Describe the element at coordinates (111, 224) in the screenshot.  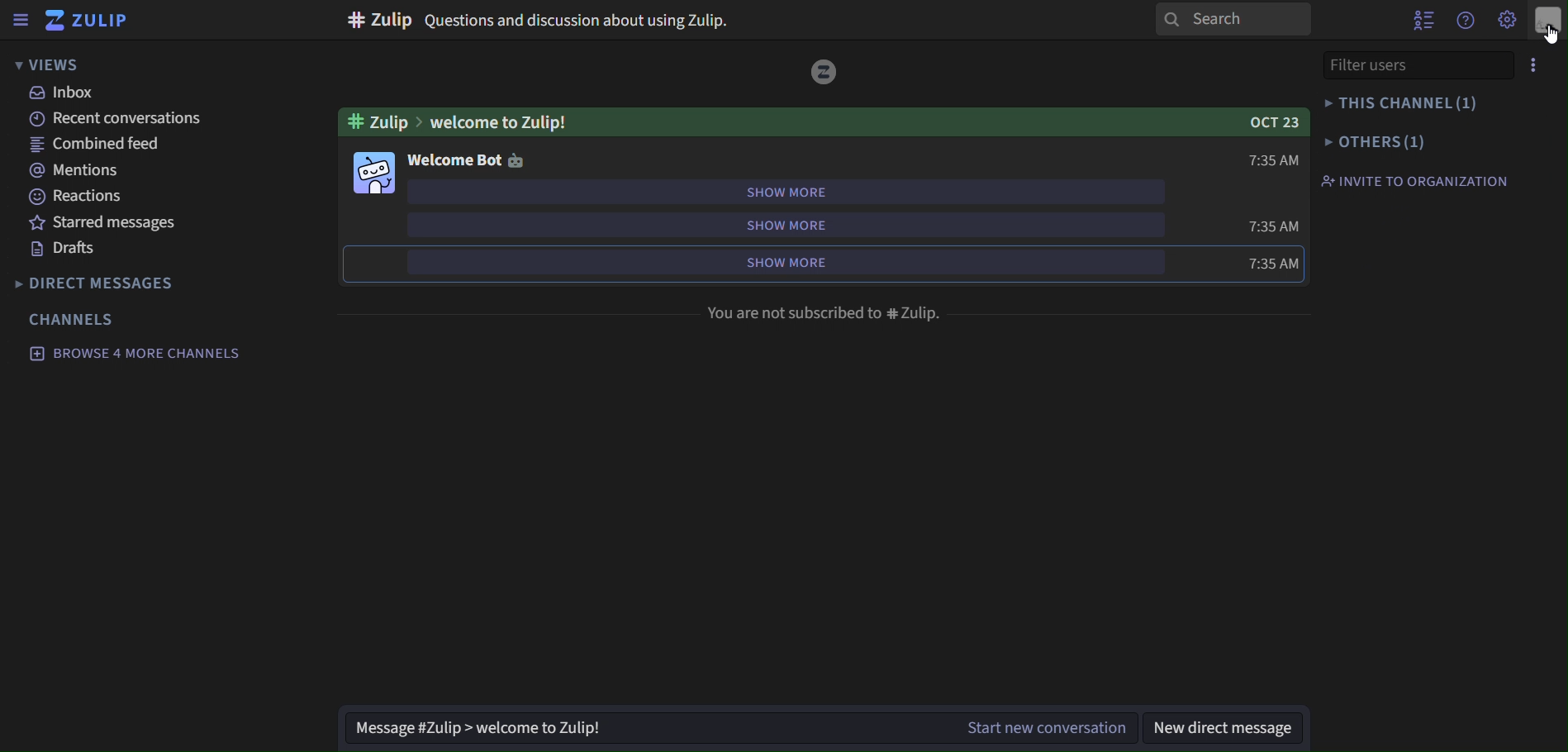
I see `starred messages` at that location.